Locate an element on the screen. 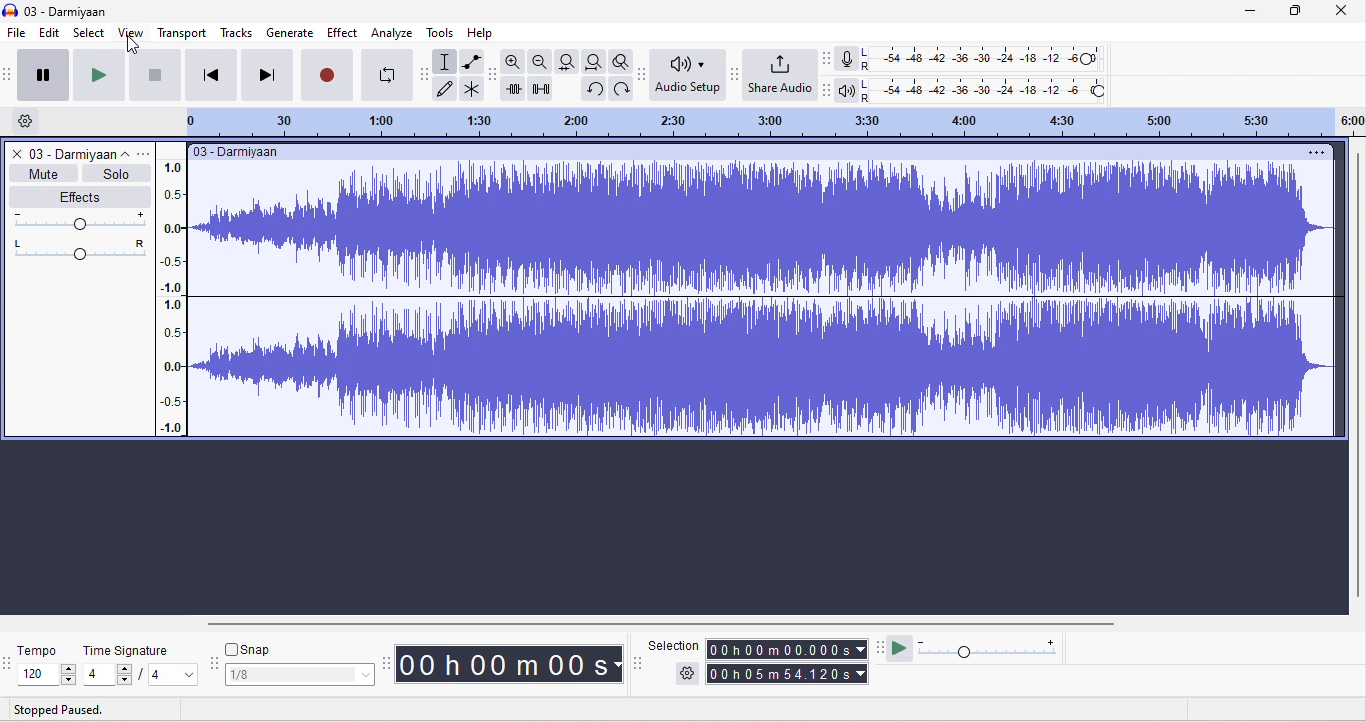 The image size is (1366, 722). selection time is located at coordinates (789, 648).